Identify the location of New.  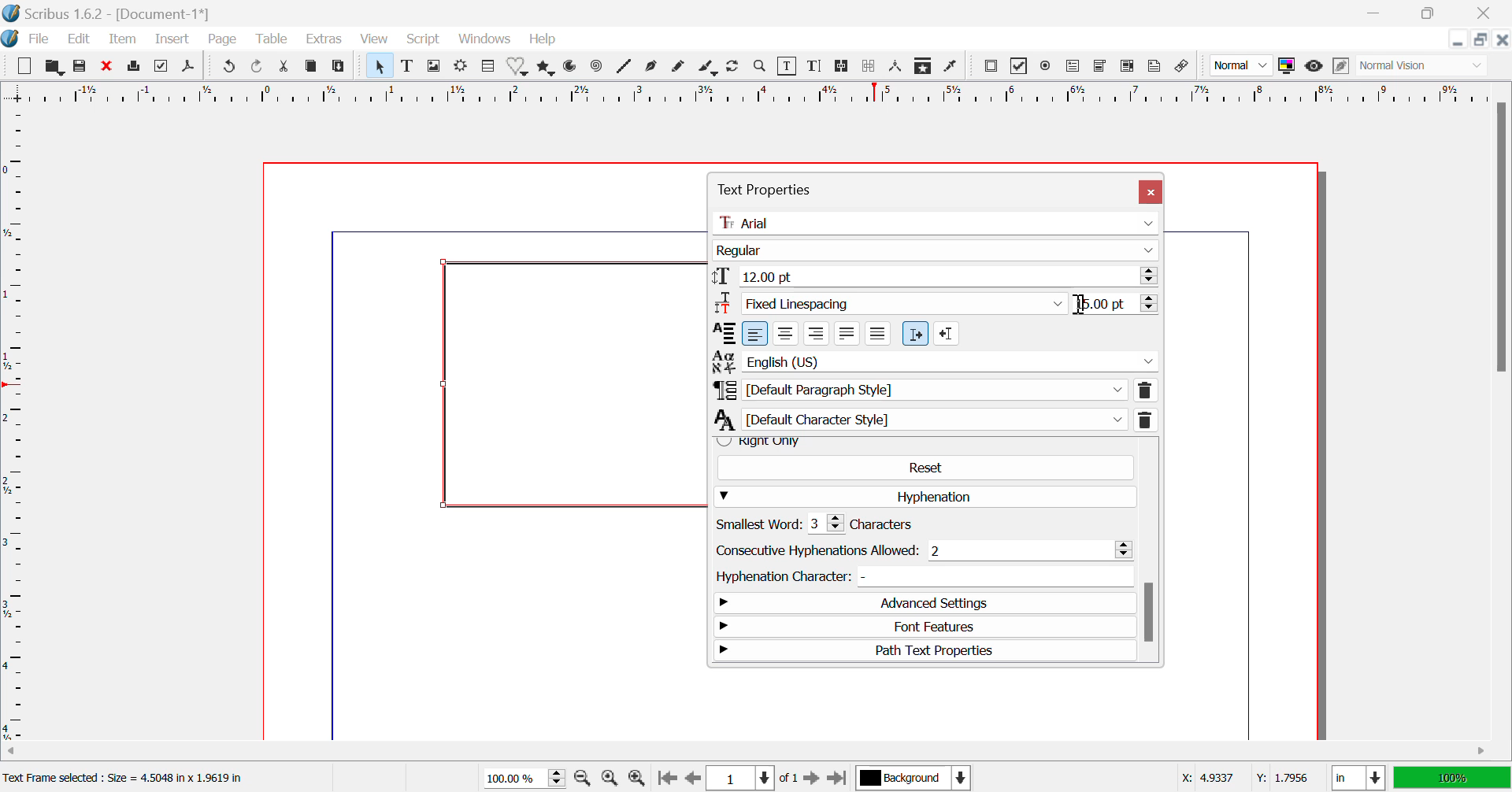
(24, 65).